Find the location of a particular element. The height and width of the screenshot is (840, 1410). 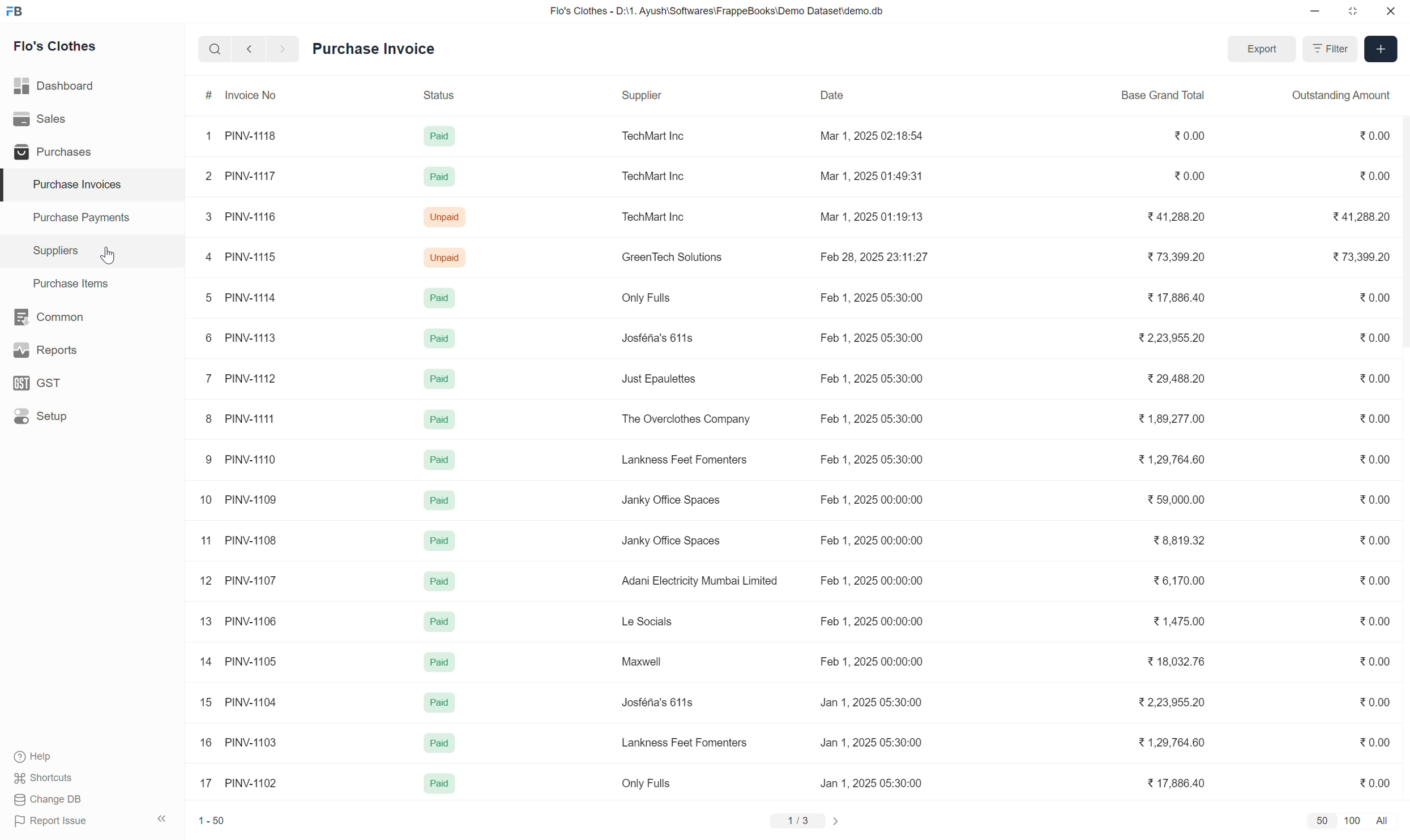

Feb 1, 2025 05:30:00 is located at coordinates (865, 299).